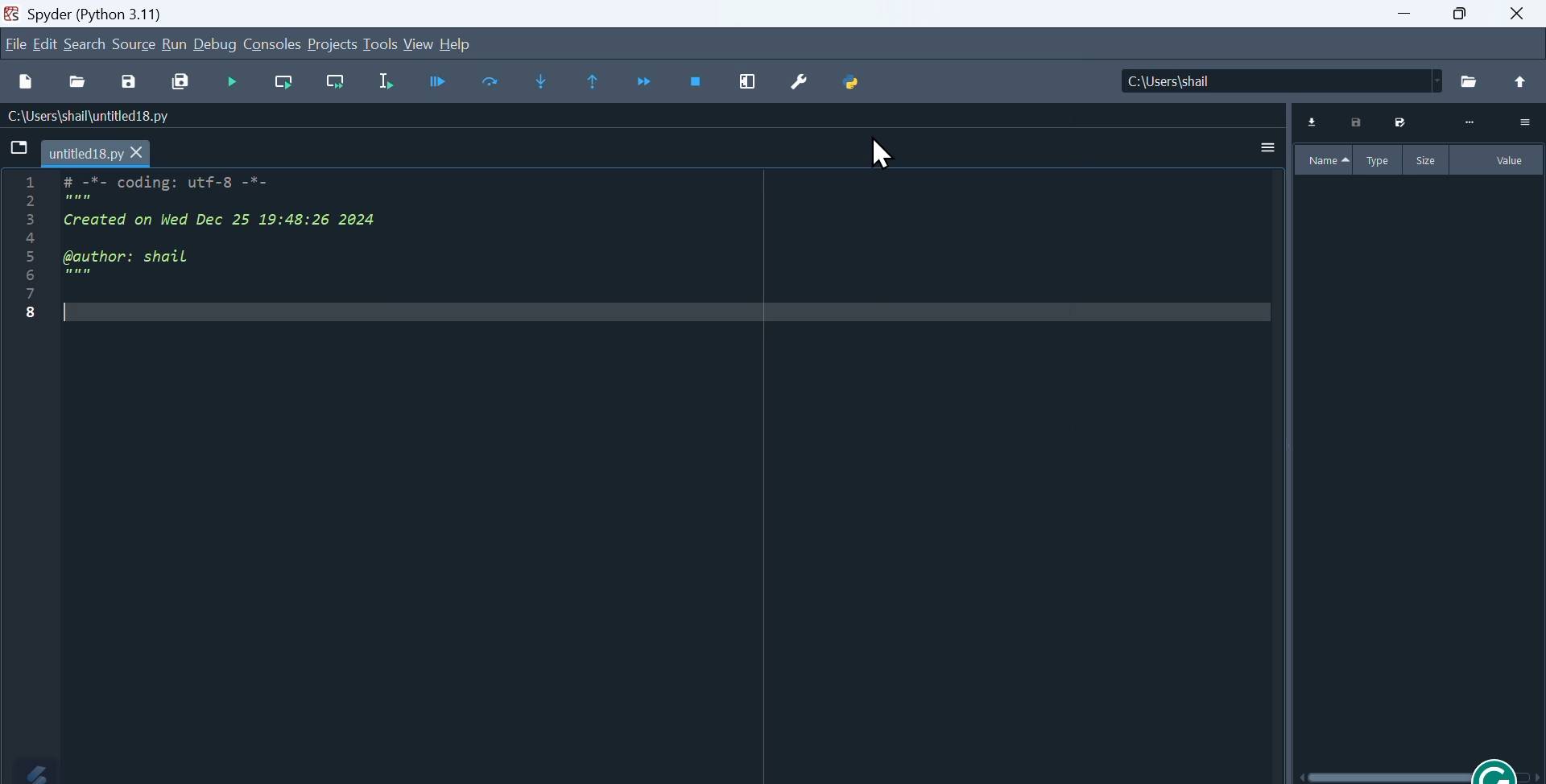 The height and width of the screenshot is (784, 1546). Describe the element at coordinates (864, 83) in the screenshot. I see `Python path manager` at that location.